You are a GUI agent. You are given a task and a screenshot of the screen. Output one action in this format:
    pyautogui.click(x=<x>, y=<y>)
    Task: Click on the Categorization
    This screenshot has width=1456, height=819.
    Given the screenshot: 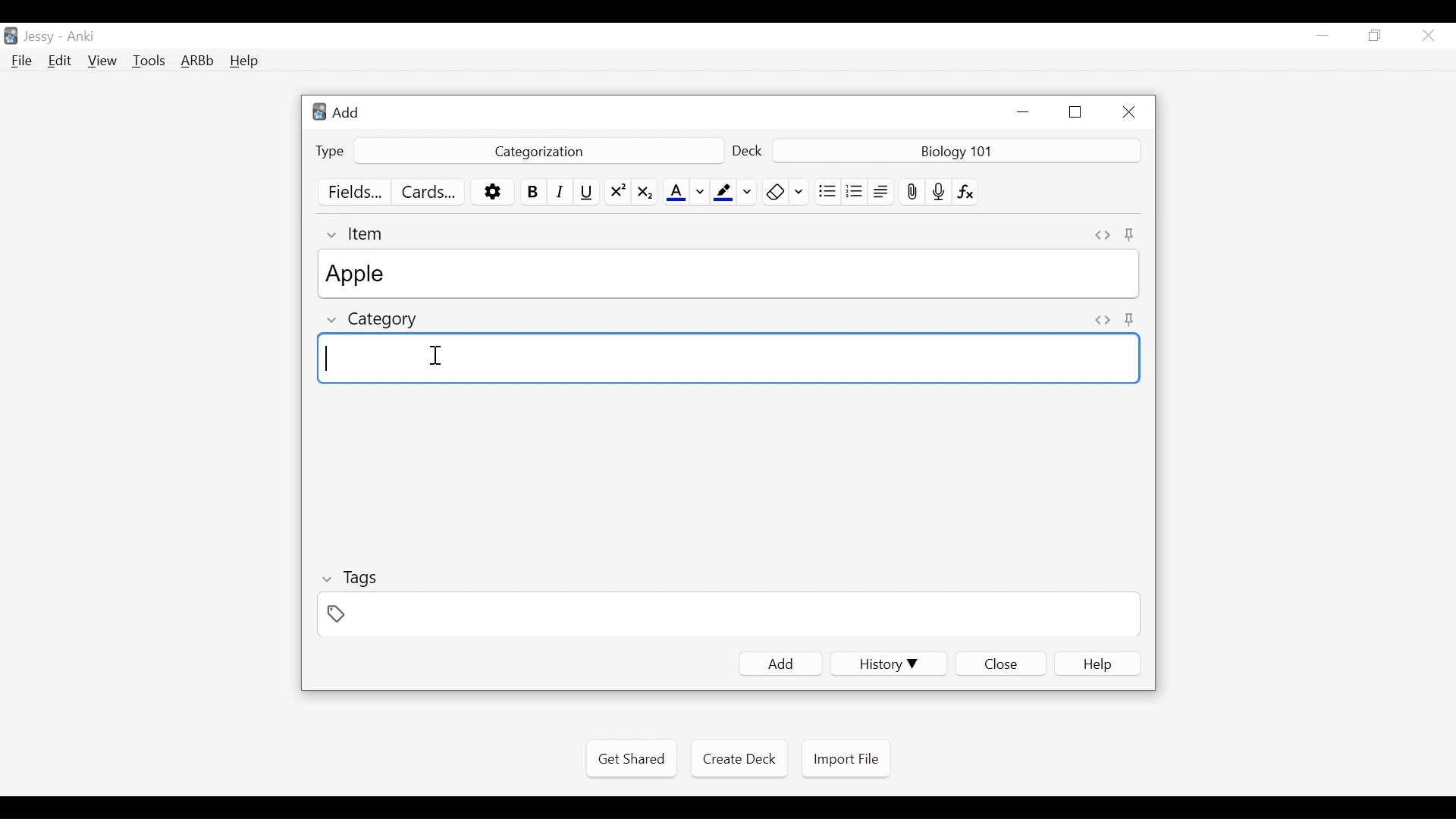 What is the action you would take?
    pyautogui.click(x=536, y=152)
    